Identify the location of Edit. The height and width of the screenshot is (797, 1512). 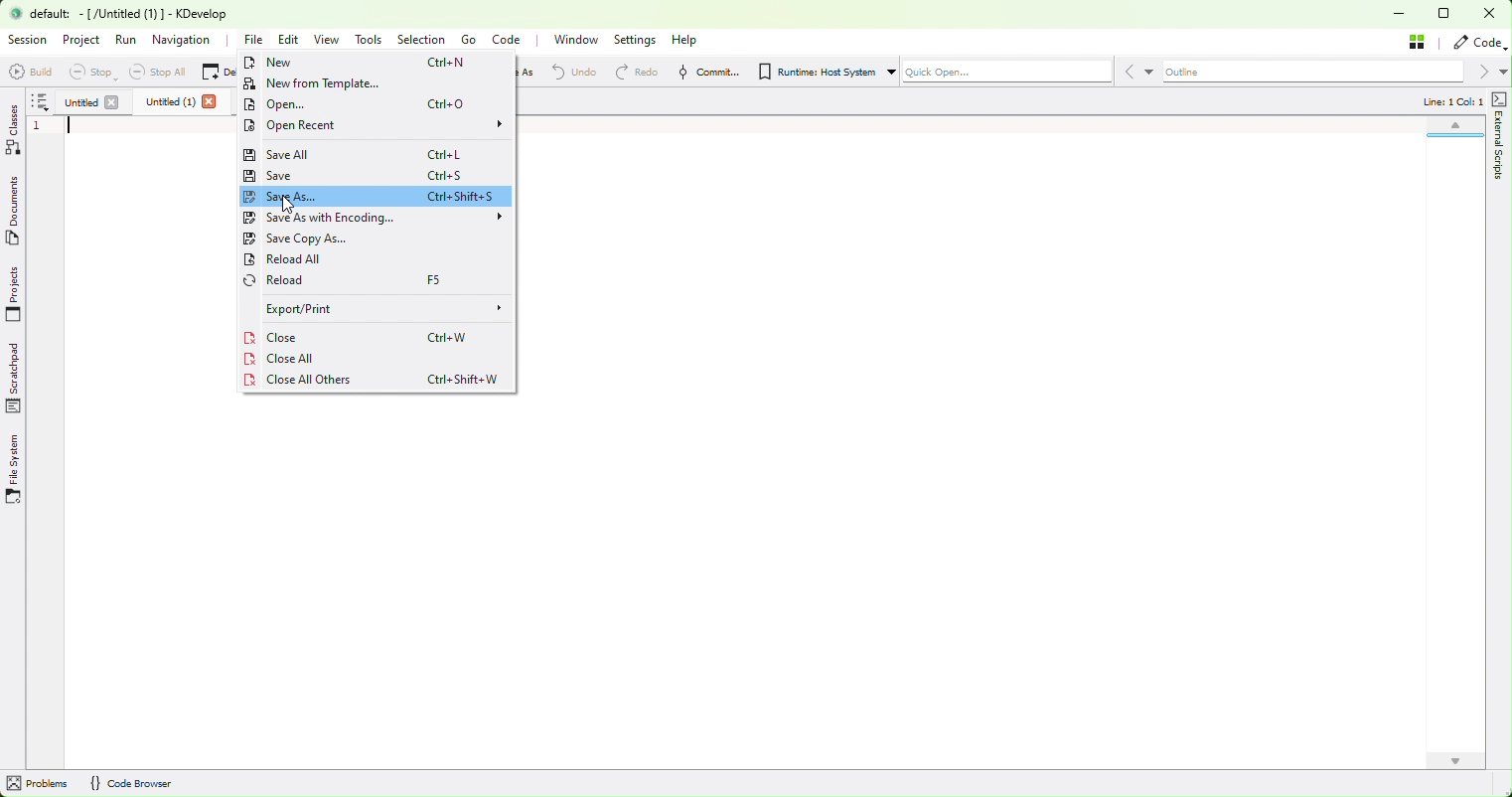
(288, 42).